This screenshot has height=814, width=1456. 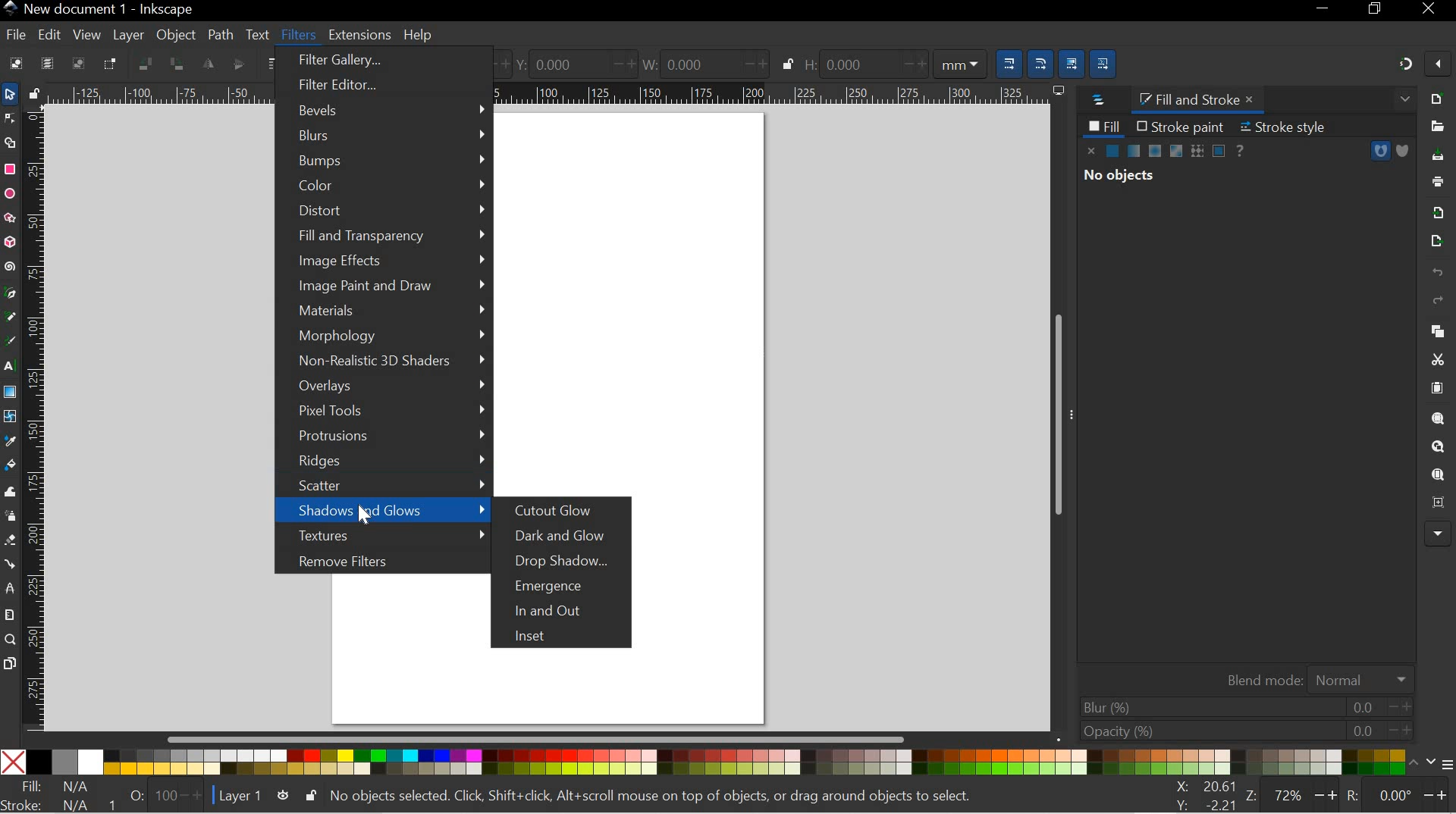 I want to click on SCROLLBAR, so click(x=1061, y=416).